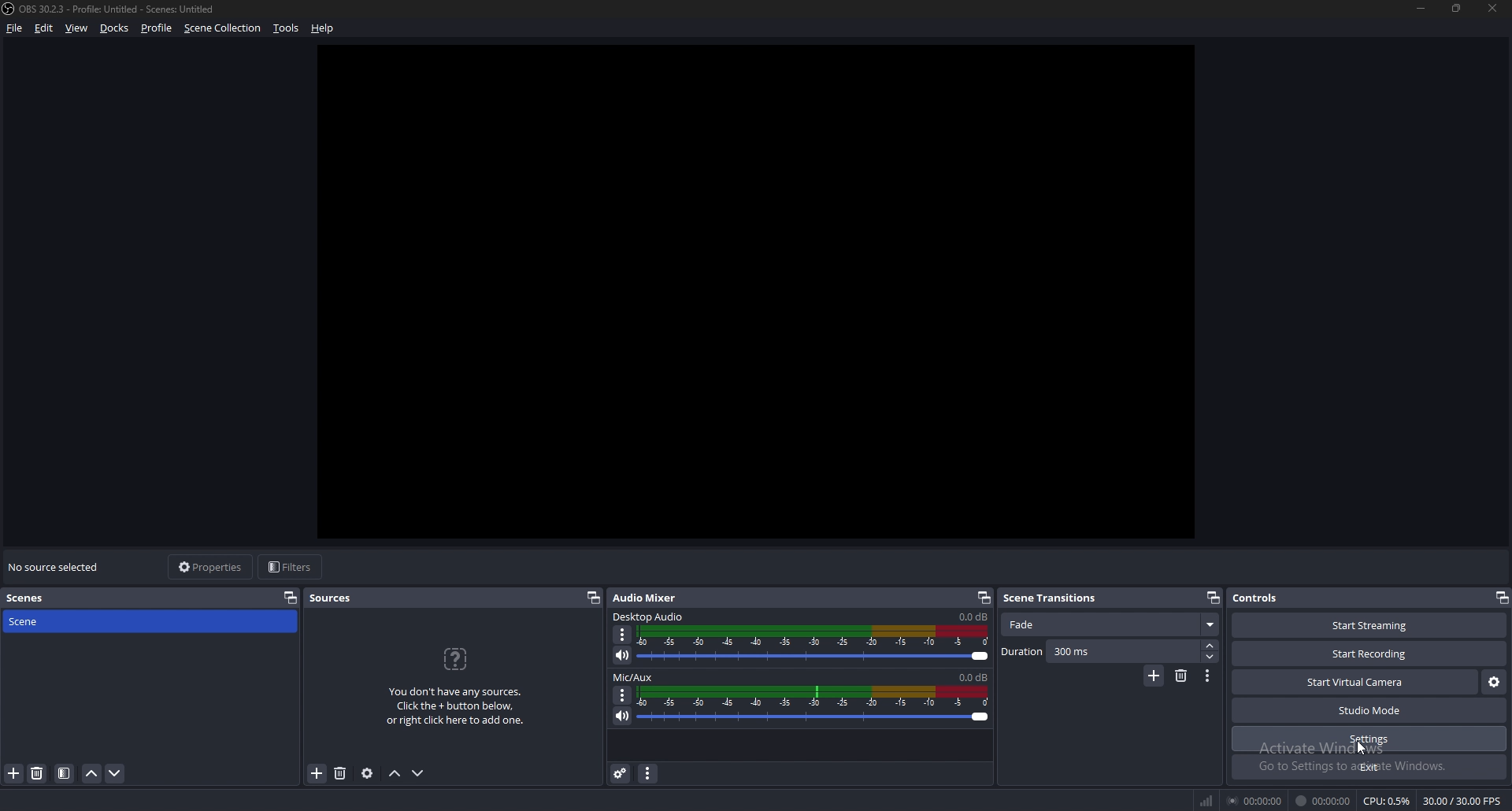  Describe the element at coordinates (318, 772) in the screenshot. I see `add source` at that location.